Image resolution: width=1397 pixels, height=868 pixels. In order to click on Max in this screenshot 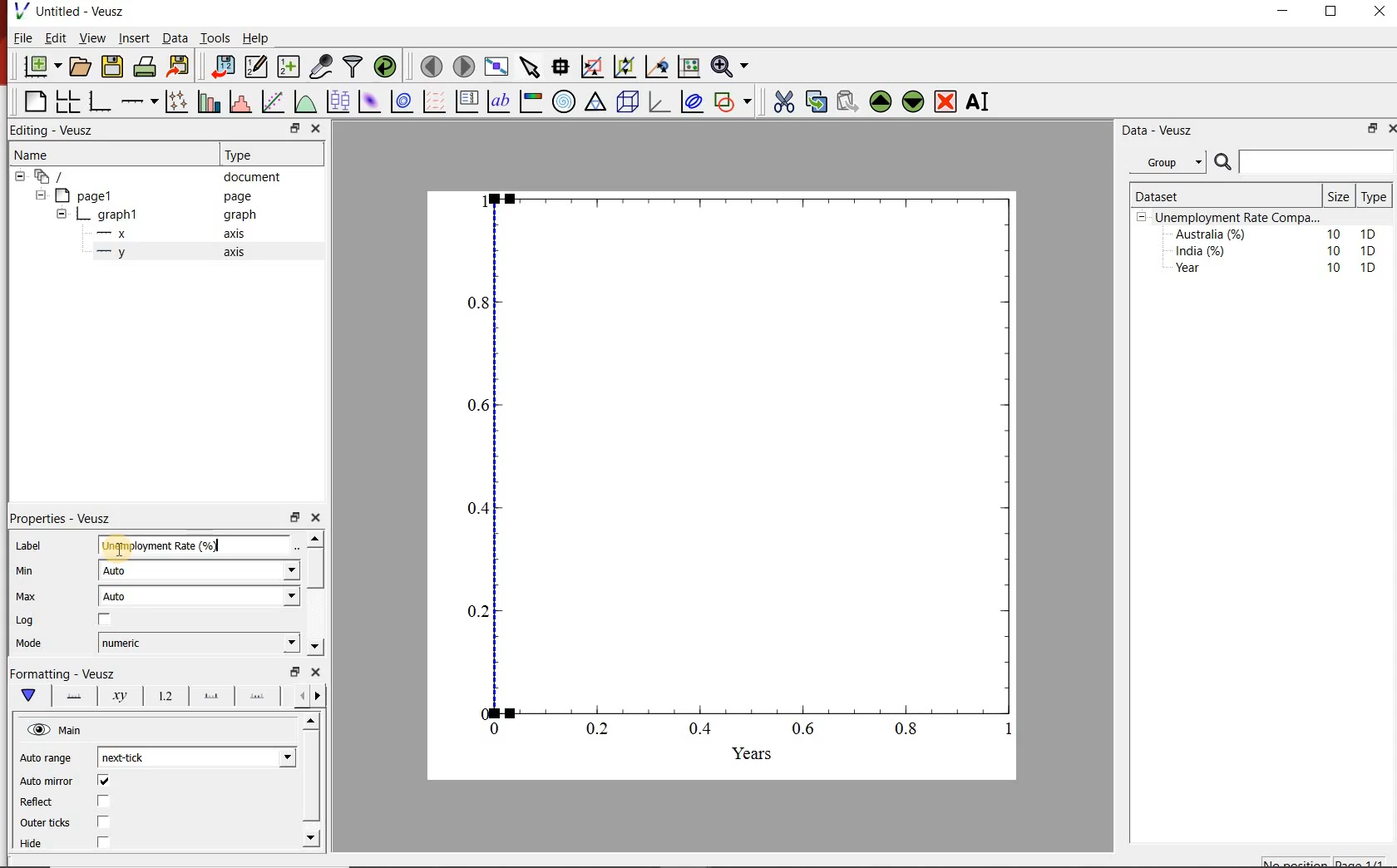, I will do `click(34, 598)`.